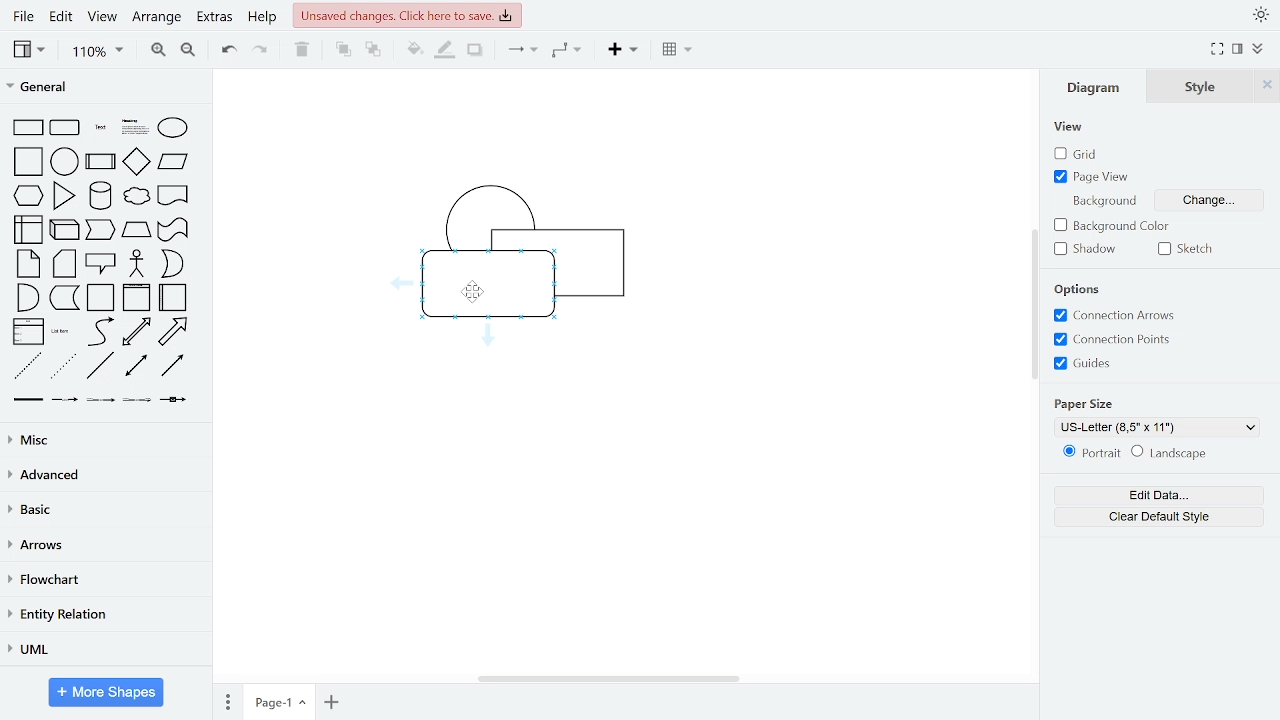 This screenshot has height=720, width=1280. What do you see at coordinates (174, 197) in the screenshot?
I see `document` at bounding box center [174, 197].